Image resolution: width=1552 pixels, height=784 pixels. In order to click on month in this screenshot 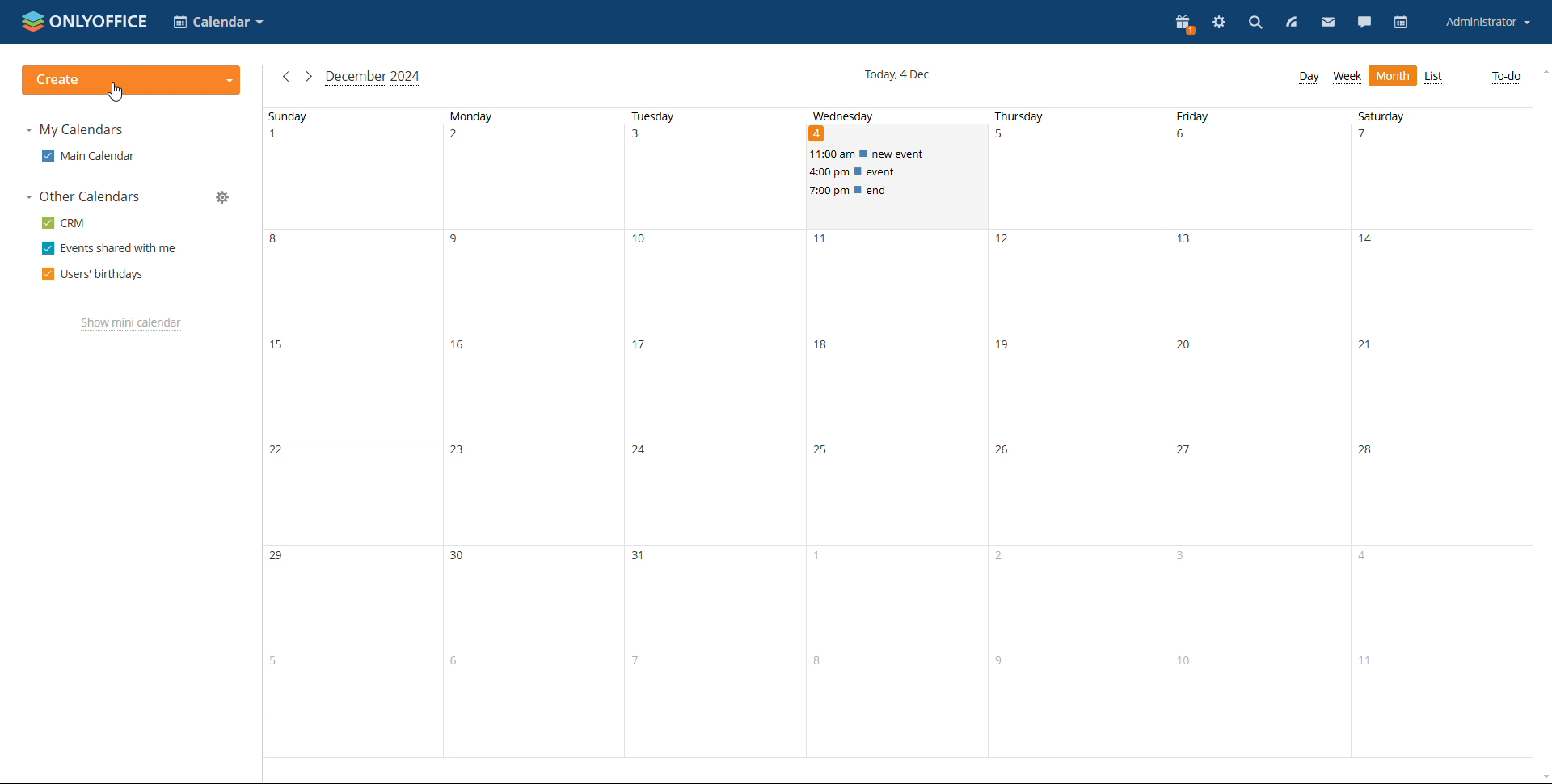, I will do `click(1393, 76)`.